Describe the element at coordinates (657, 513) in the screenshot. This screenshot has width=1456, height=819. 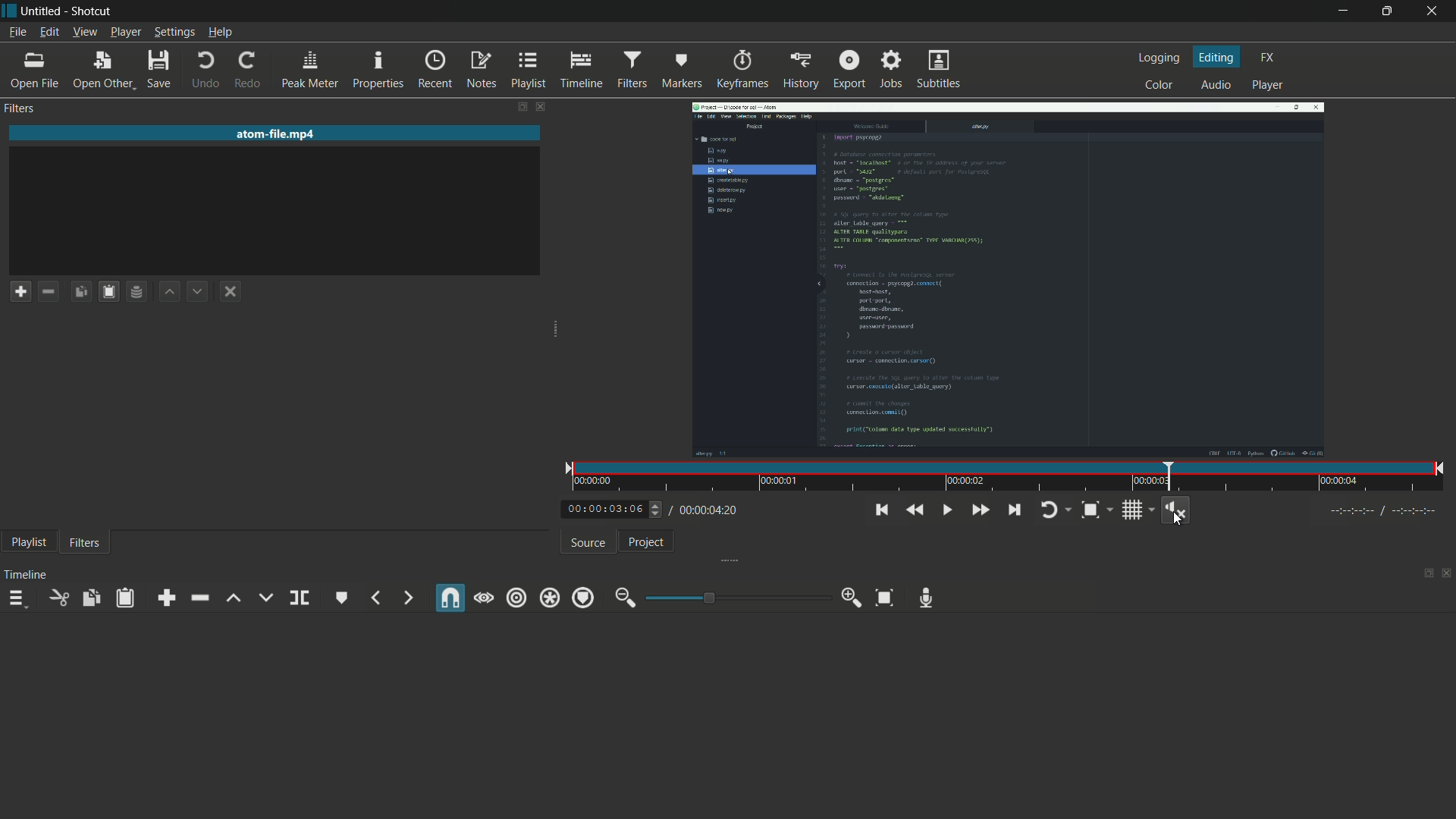
I see `Adjust time` at that location.